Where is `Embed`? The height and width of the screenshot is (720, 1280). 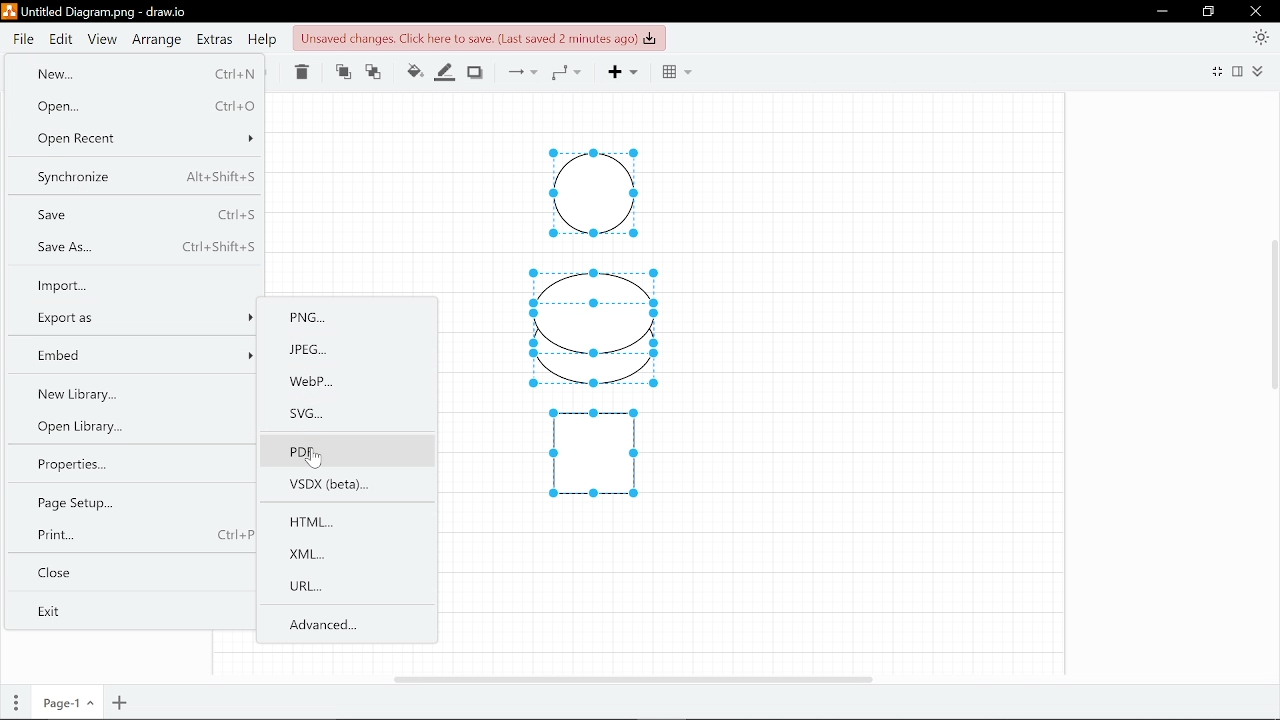
Embed is located at coordinates (135, 356).